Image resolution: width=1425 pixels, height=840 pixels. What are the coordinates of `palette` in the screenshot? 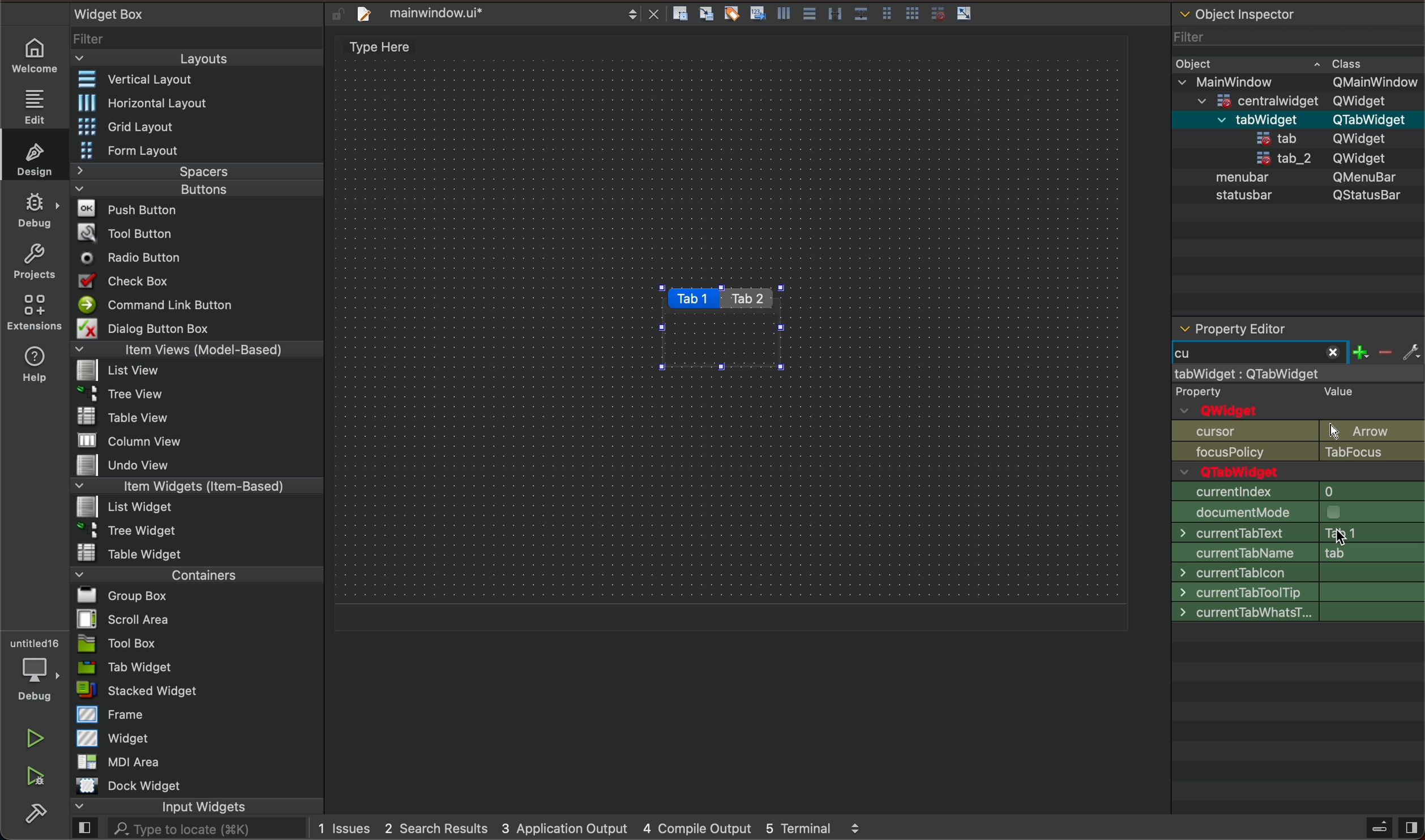 It's located at (1299, 610).